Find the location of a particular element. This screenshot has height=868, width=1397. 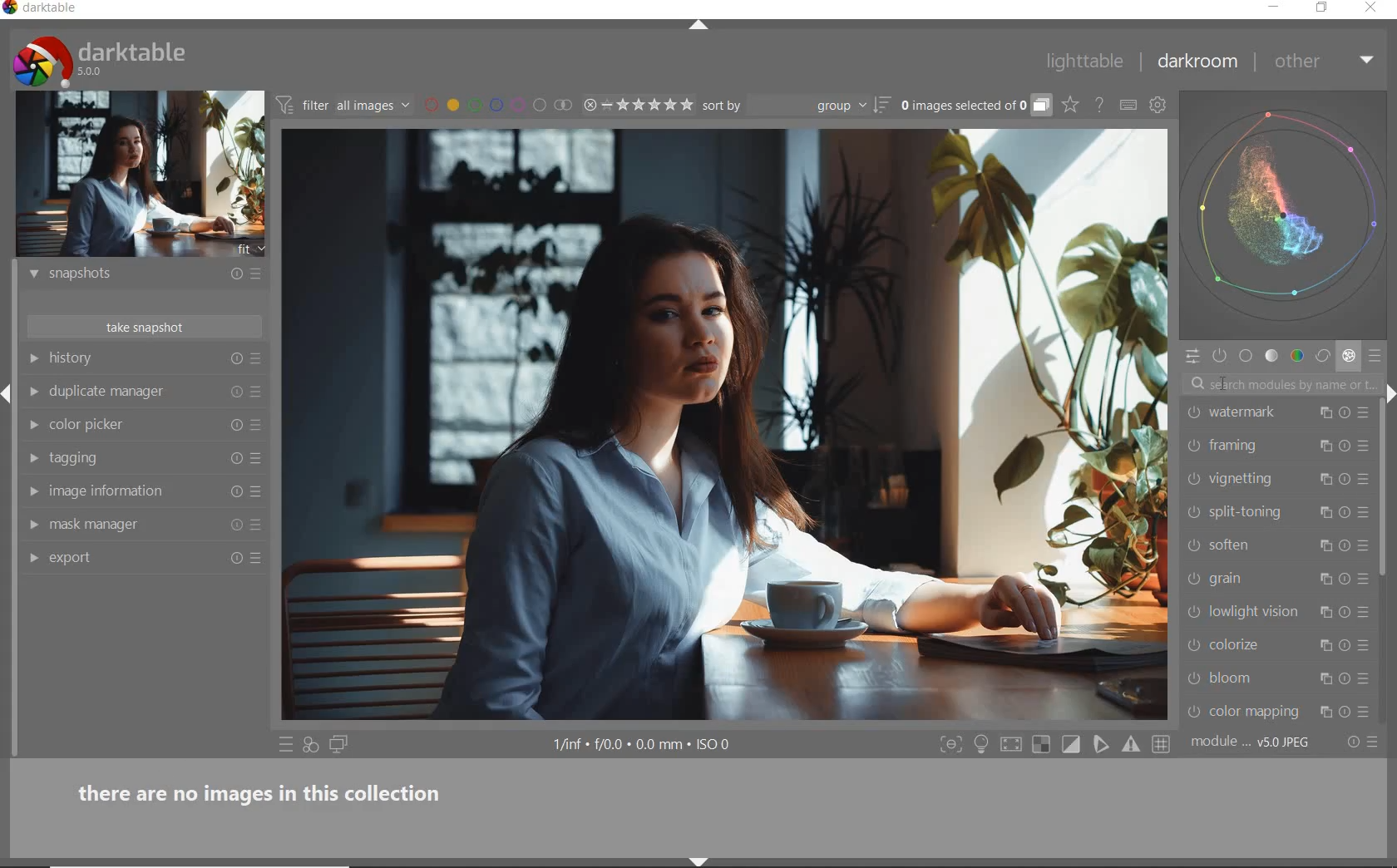

preset and preferences is located at coordinates (1367, 680).